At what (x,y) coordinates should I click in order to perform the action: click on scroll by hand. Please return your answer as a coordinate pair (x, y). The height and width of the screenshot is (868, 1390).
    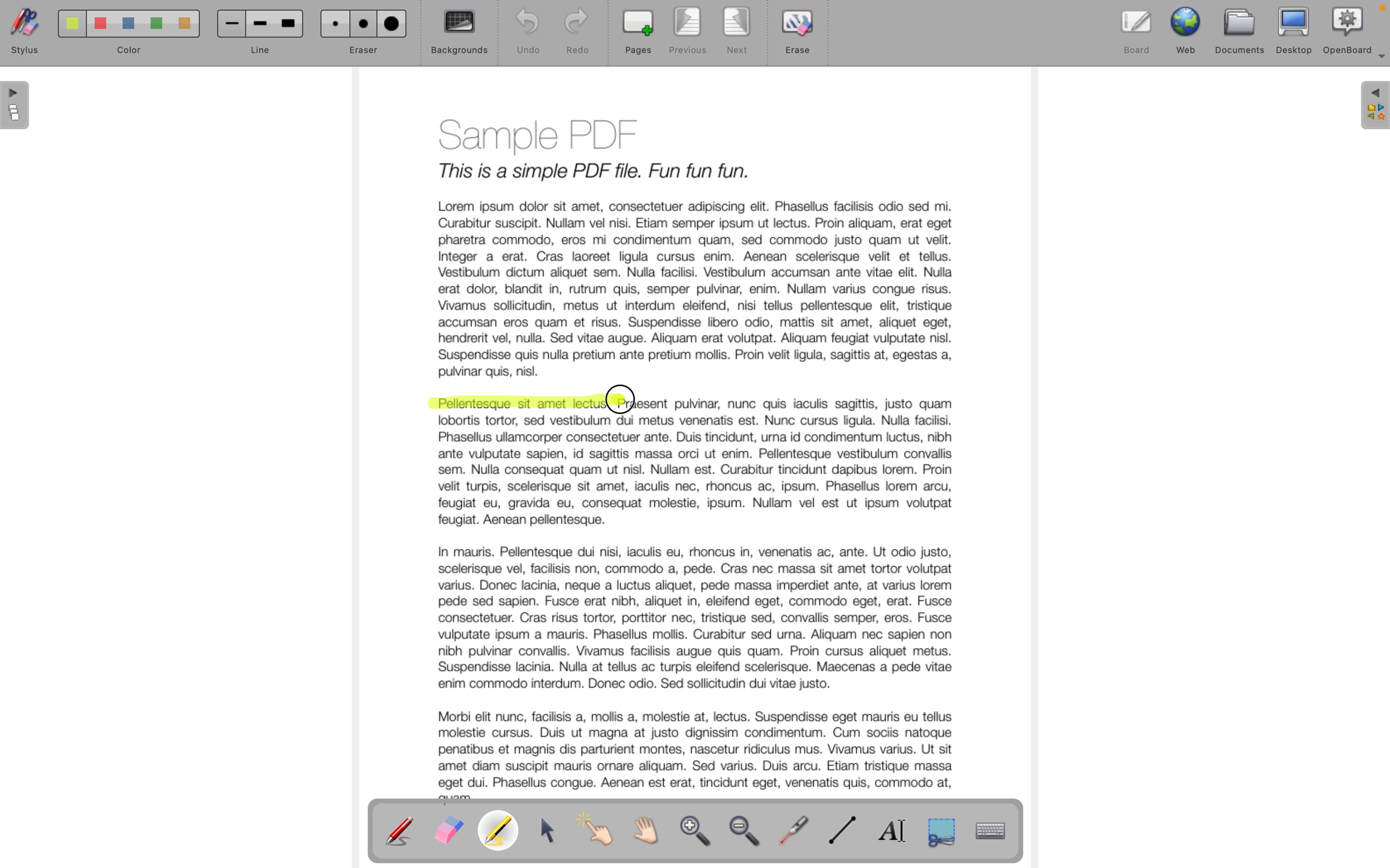
    Looking at the image, I should click on (653, 831).